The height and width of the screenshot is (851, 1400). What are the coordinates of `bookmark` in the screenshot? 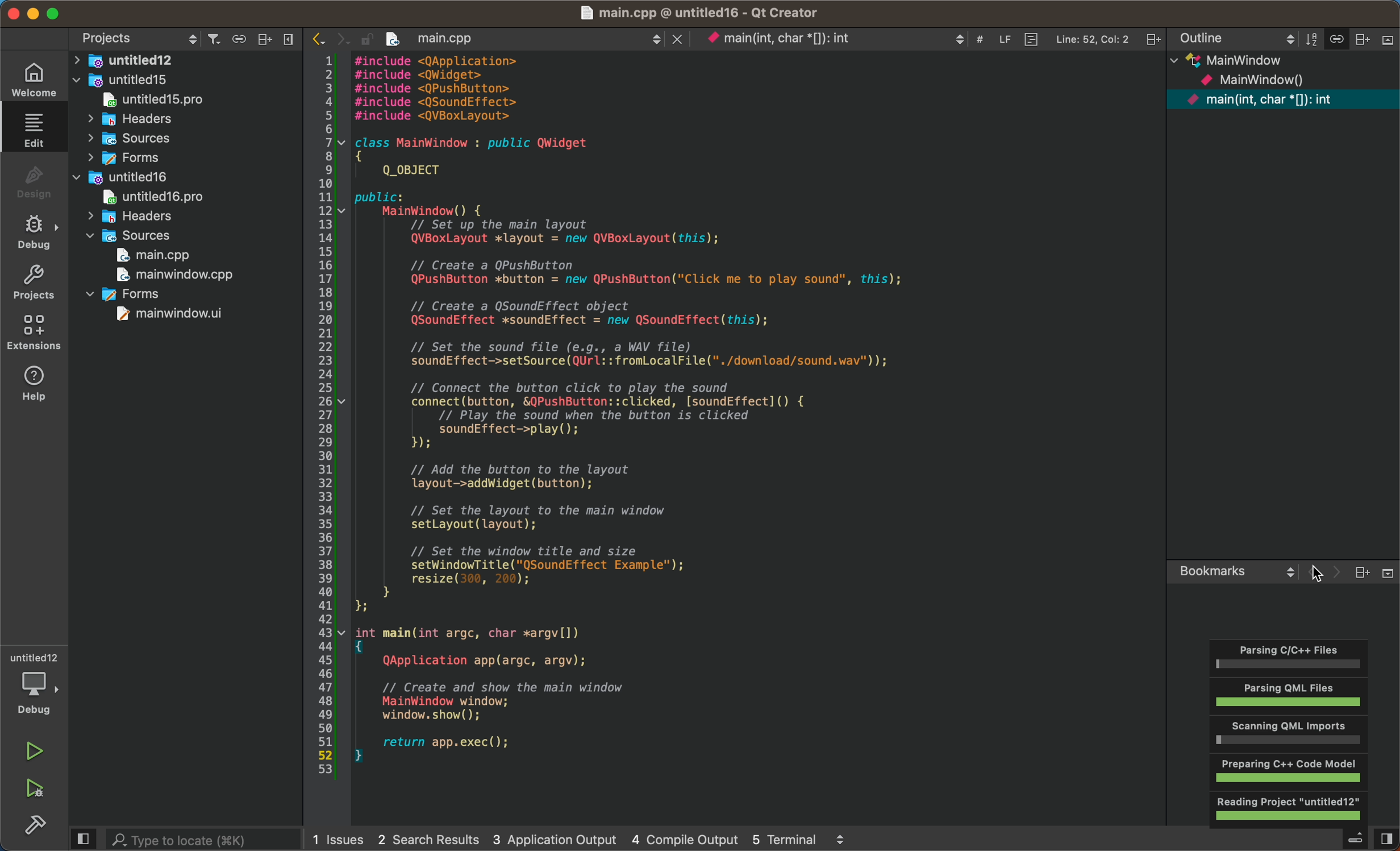 It's located at (1282, 585).